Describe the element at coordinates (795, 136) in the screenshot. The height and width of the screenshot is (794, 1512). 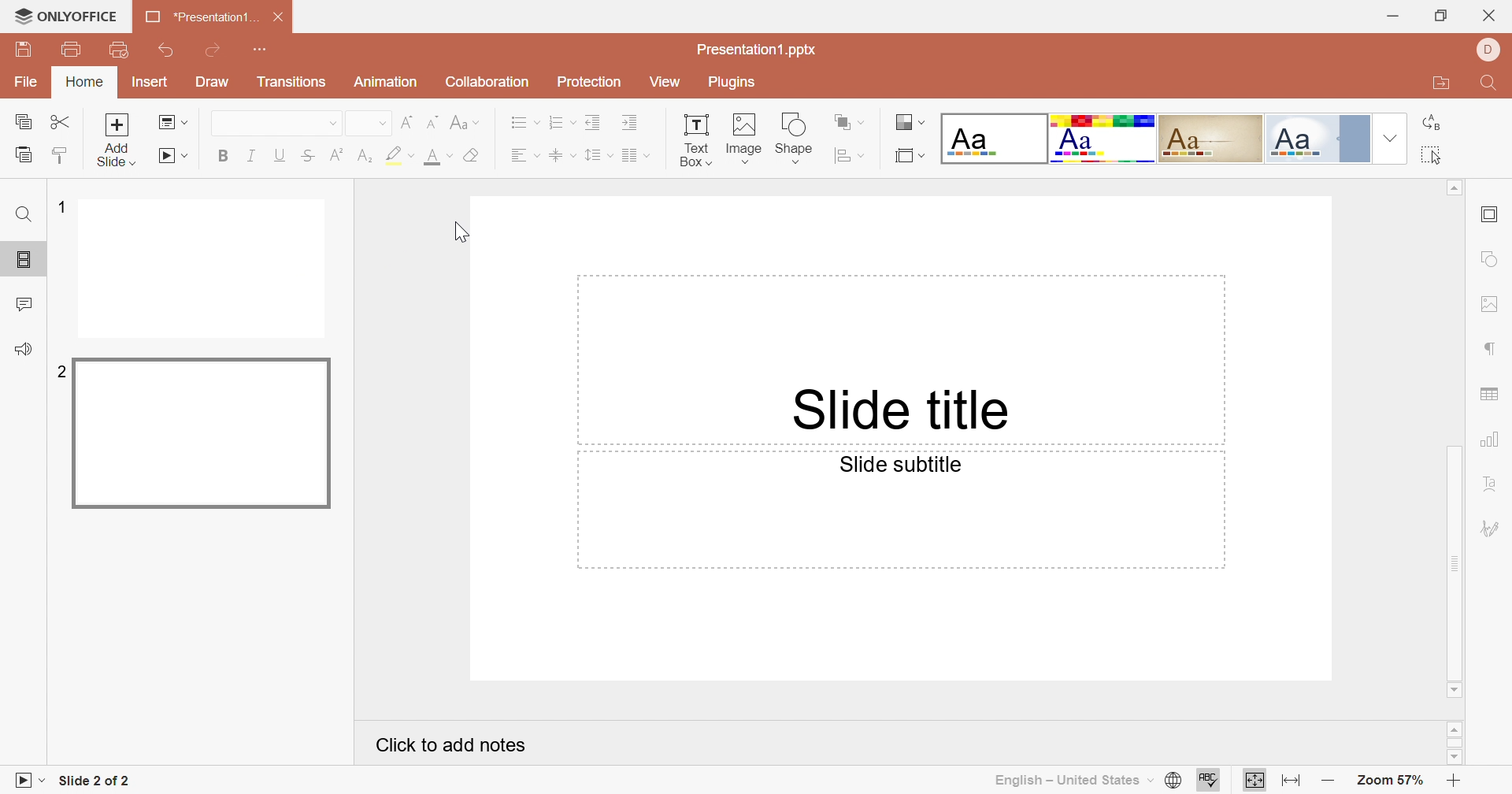
I see `shape` at that location.